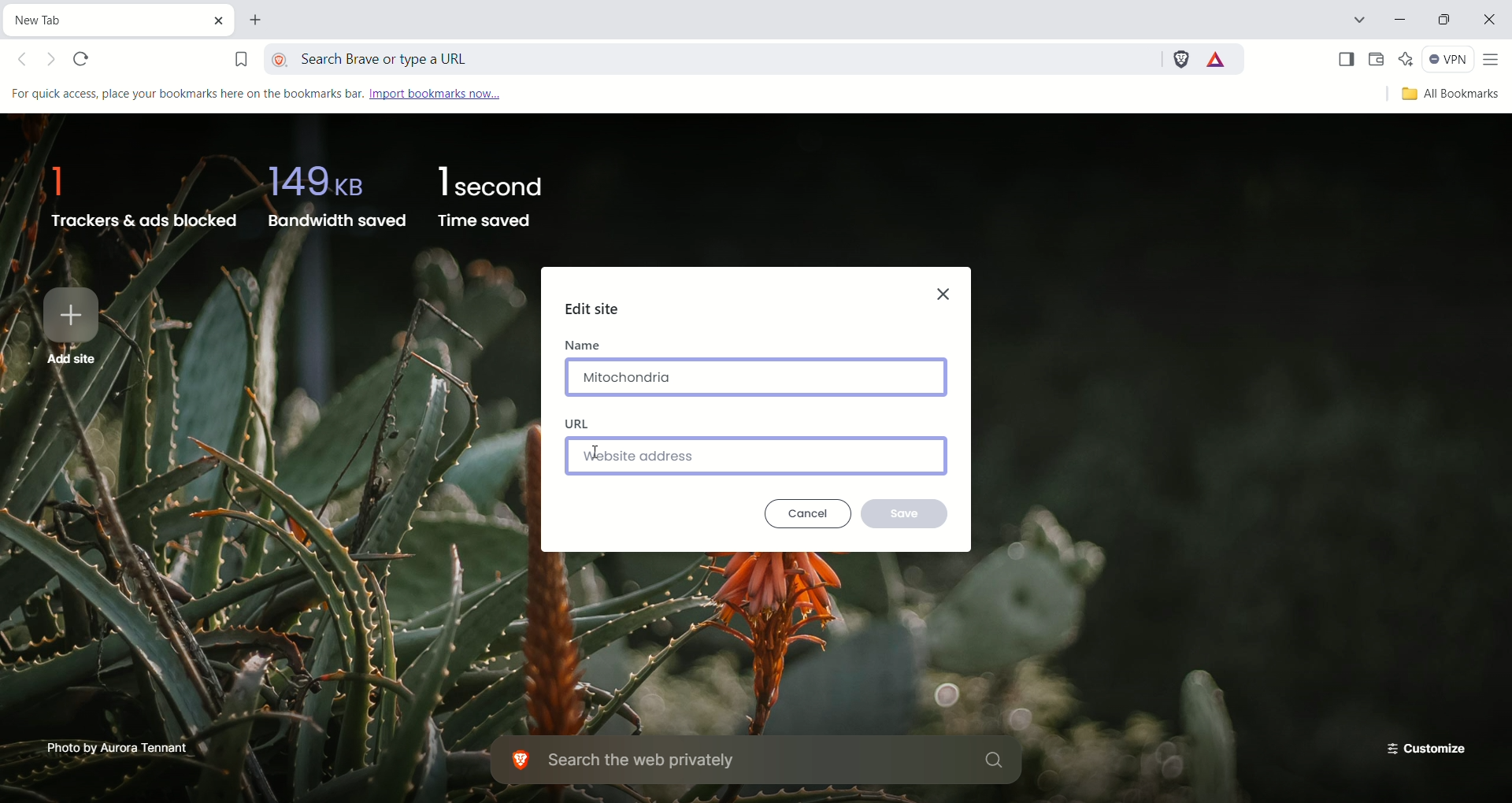  Describe the element at coordinates (28, 61) in the screenshot. I see `Click to go back,  hold to see history` at that location.